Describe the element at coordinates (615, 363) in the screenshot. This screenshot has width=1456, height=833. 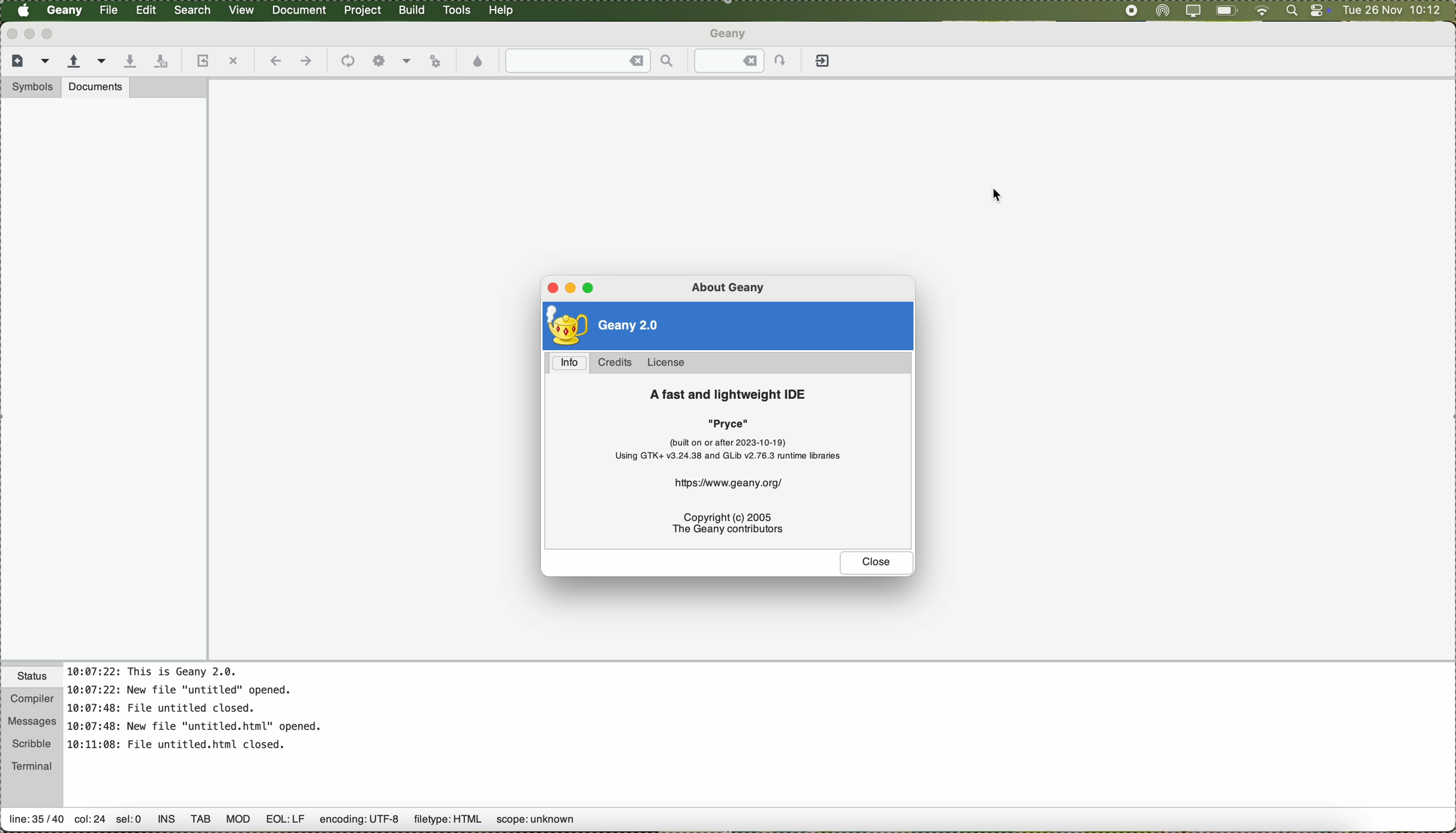
I see `credits` at that location.